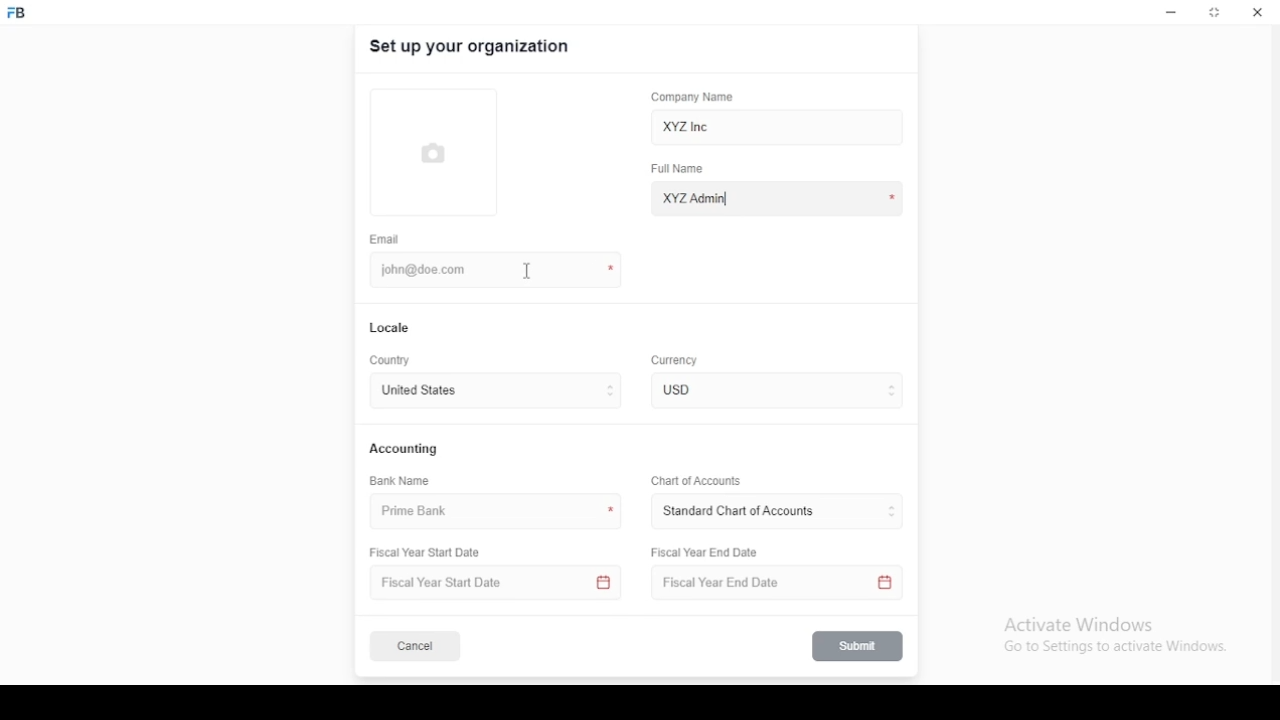  Describe the element at coordinates (391, 328) in the screenshot. I see `locale` at that location.